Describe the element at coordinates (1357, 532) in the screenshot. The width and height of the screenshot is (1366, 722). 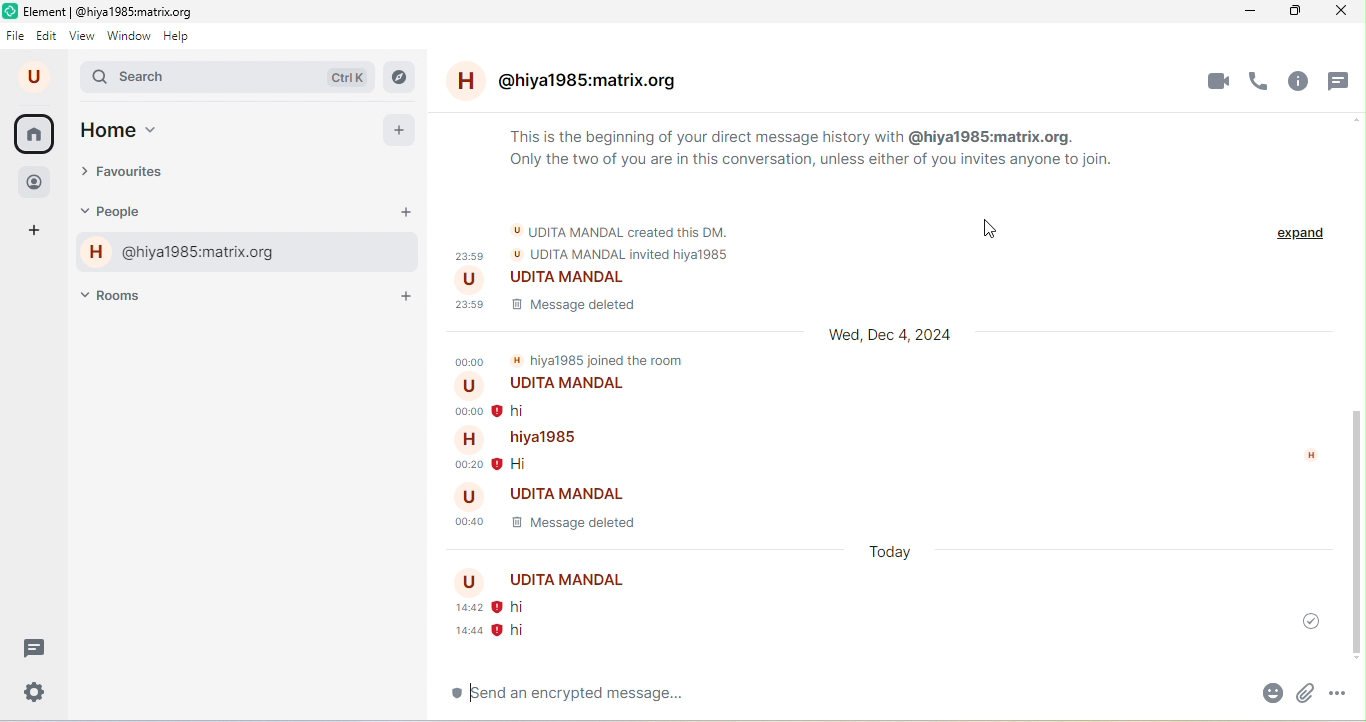
I see `vertical scroll bar` at that location.